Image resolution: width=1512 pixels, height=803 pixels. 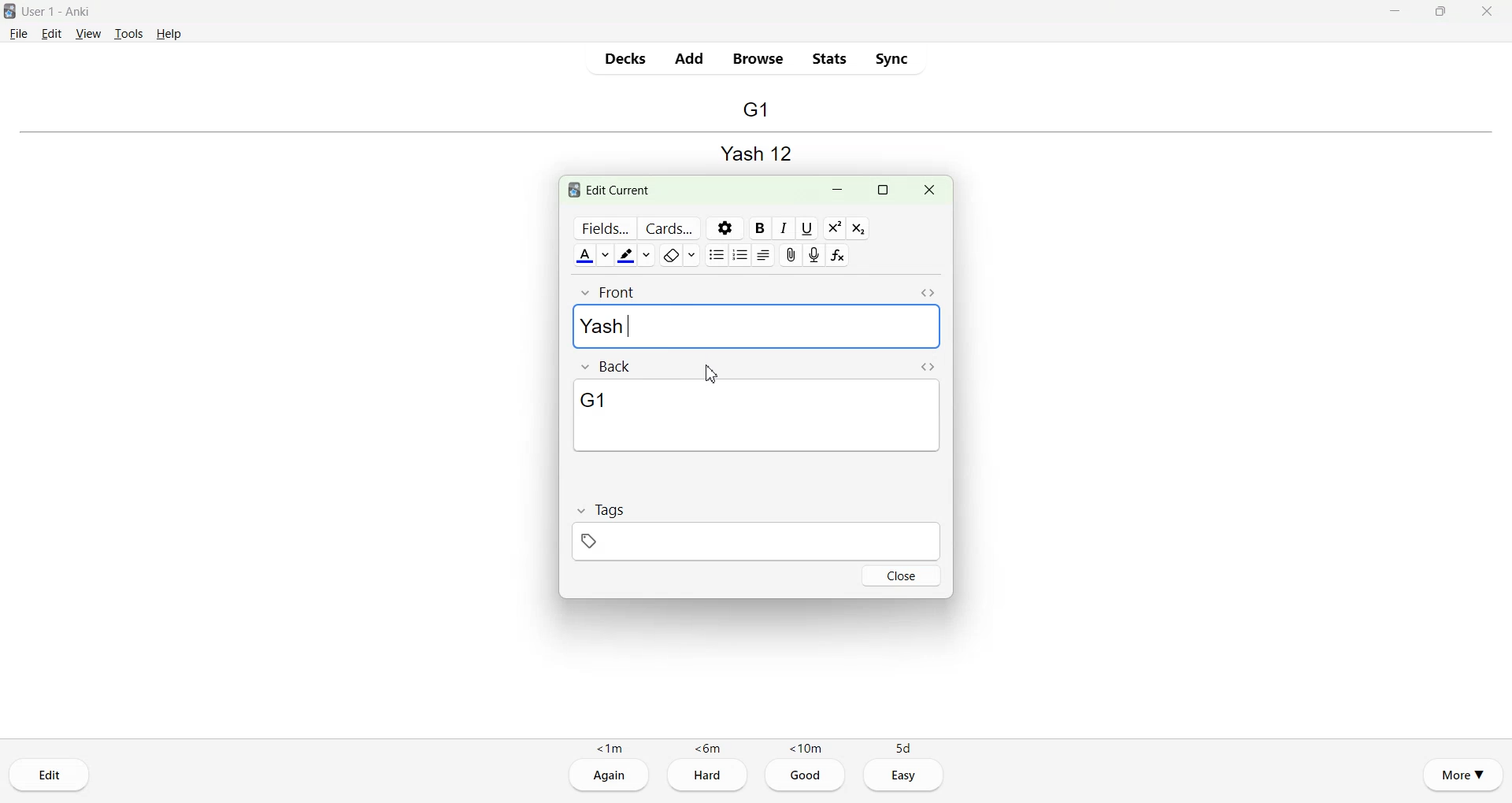 I want to click on Edit, so click(x=50, y=775).